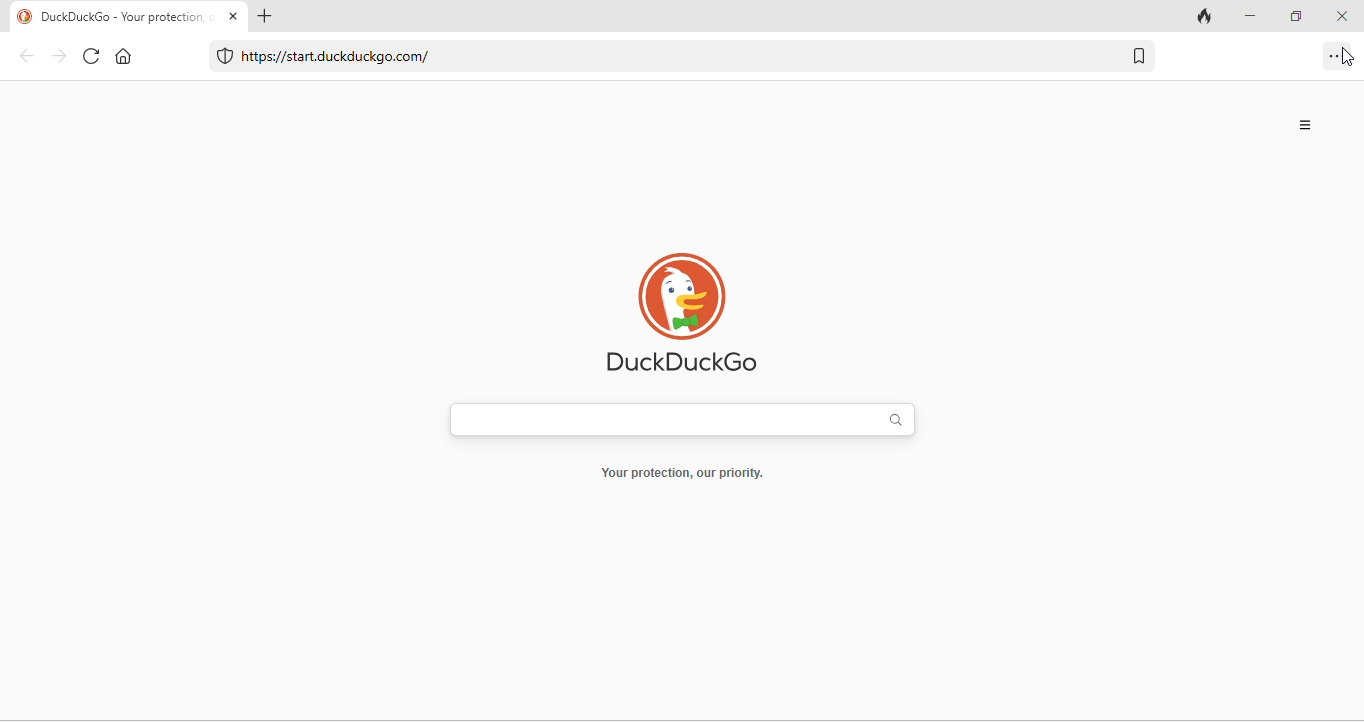  What do you see at coordinates (112, 17) in the screenshot?
I see `DuckDuckGo - Your protection` at bounding box center [112, 17].